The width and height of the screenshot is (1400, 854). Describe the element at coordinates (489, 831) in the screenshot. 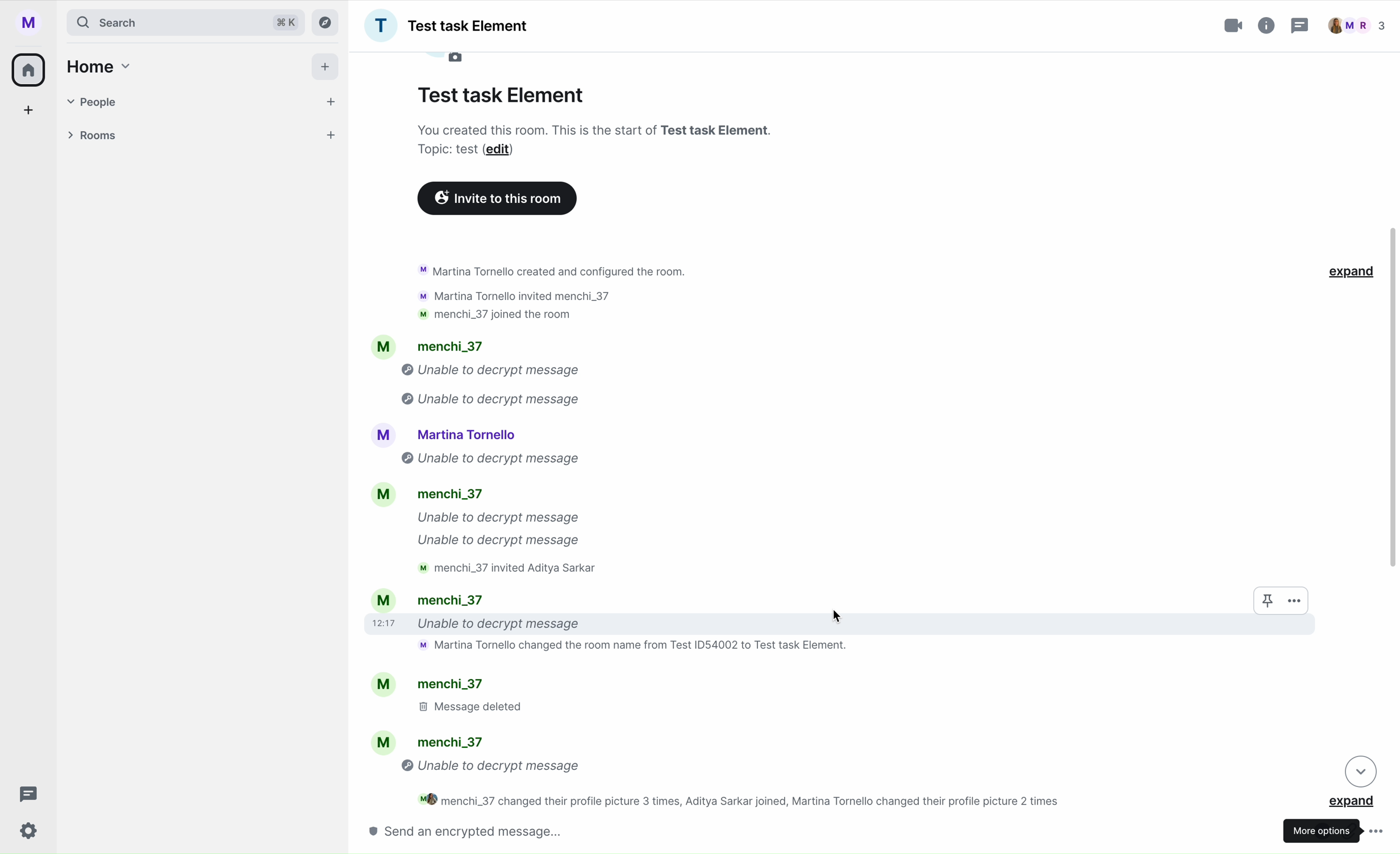

I see `send a message` at that location.